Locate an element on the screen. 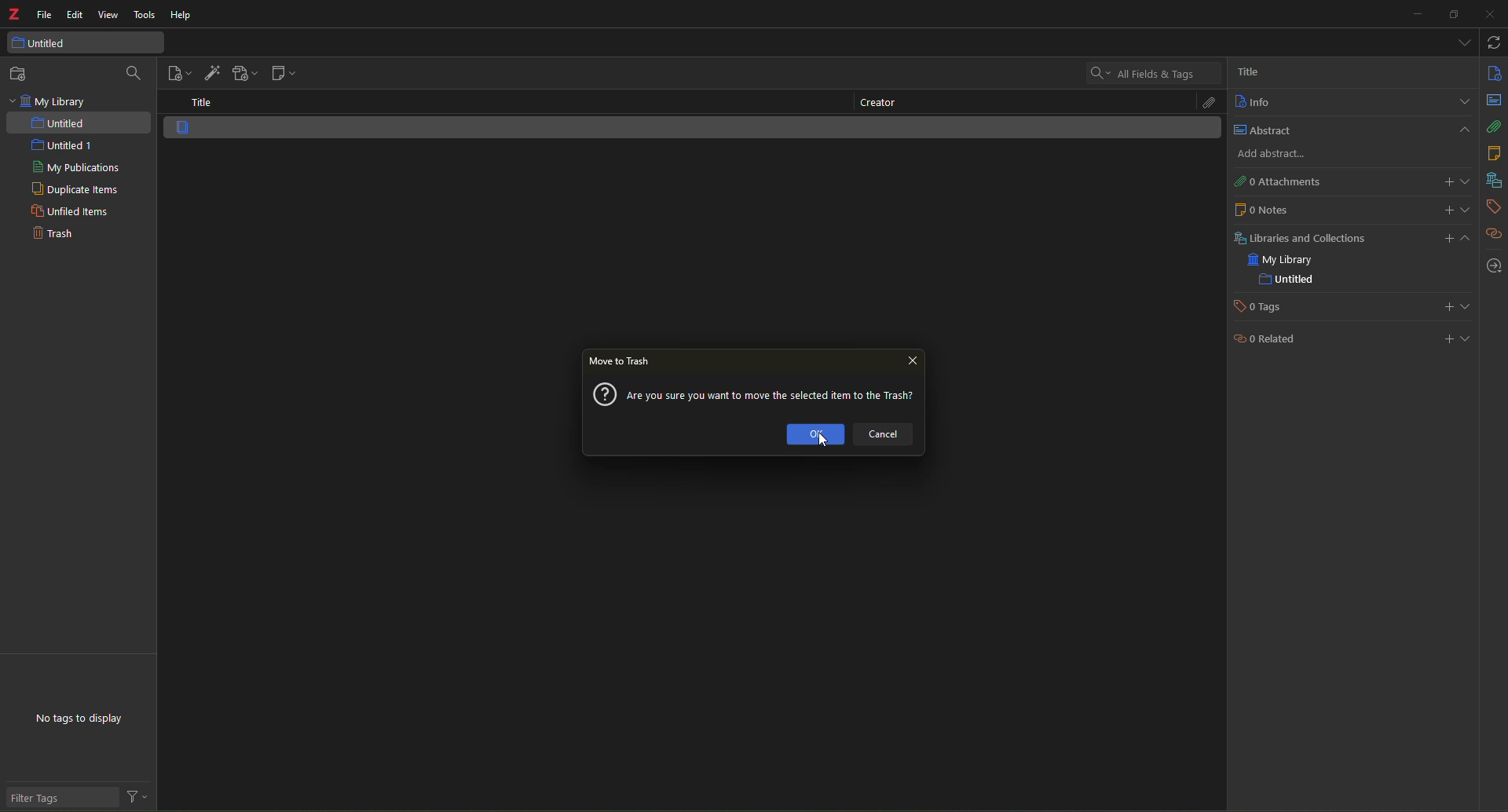 The height and width of the screenshot is (812, 1508). untitled is located at coordinates (1287, 280).